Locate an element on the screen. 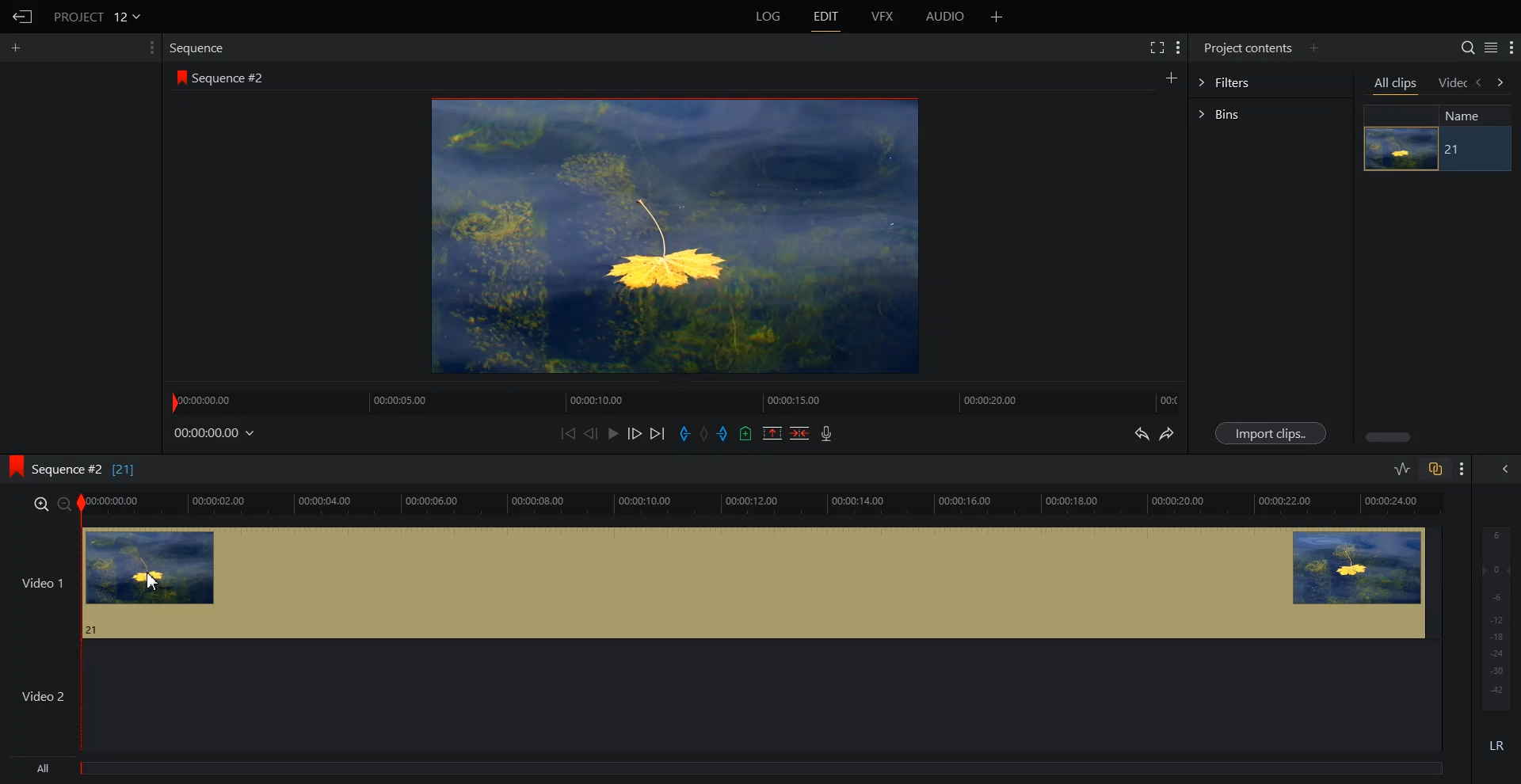 Image resolution: width=1521 pixels, height=784 pixels. Log is located at coordinates (768, 17).